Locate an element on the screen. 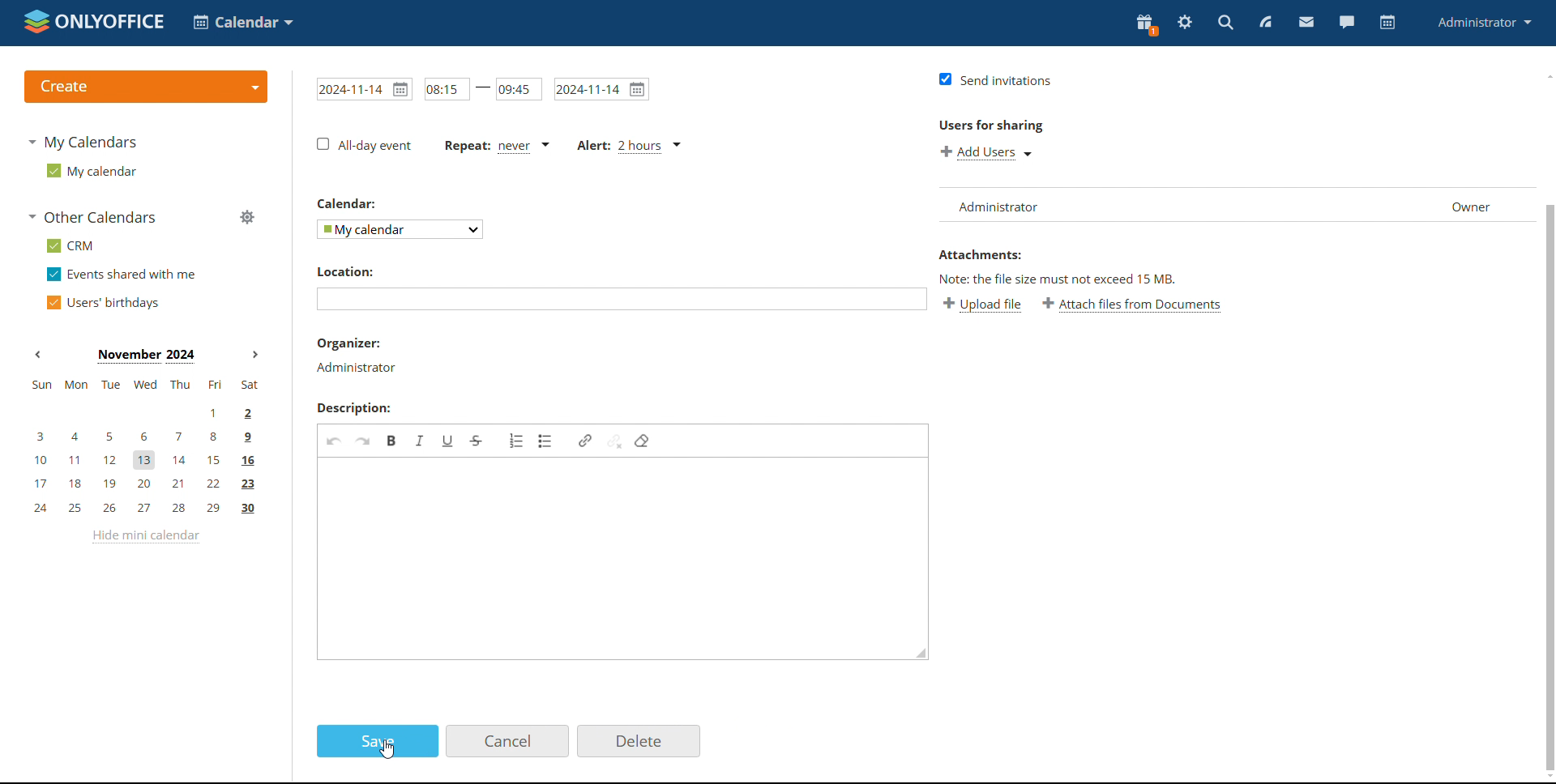 This screenshot has width=1556, height=784. events shared with me is located at coordinates (120, 275).